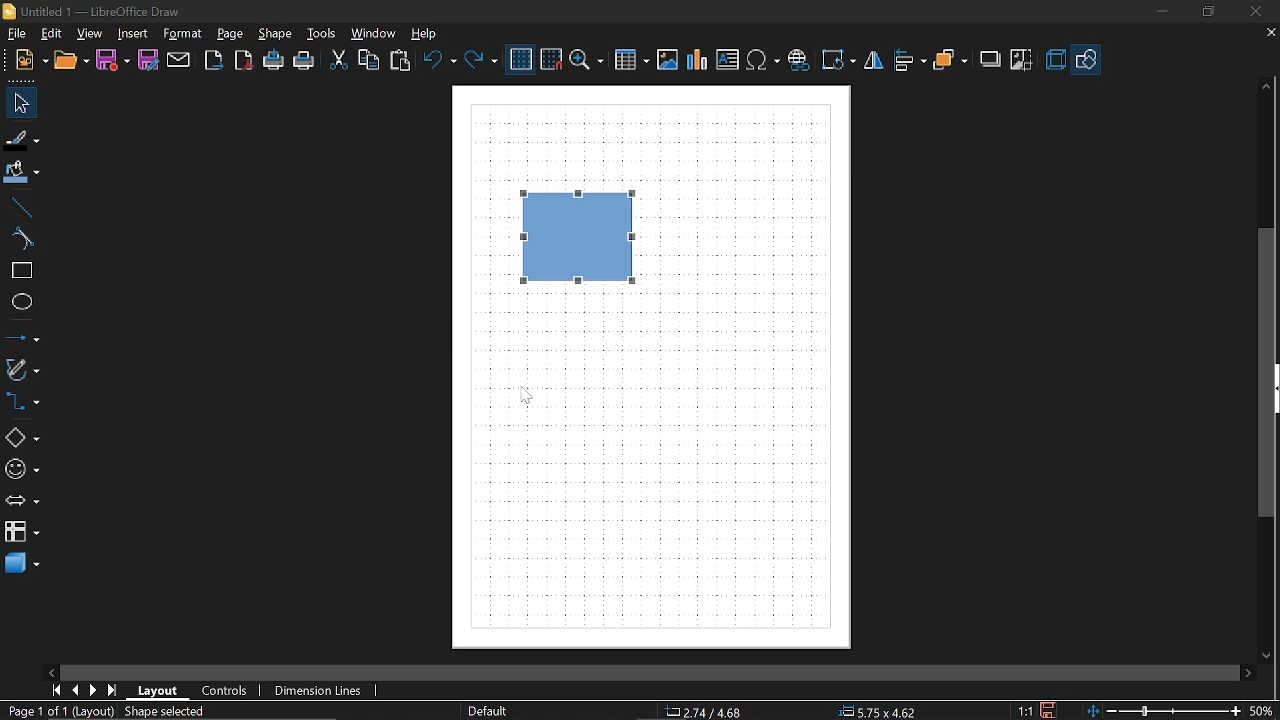 The height and width of the screenshot is (720, 1280). Describe the element at coordinates (480, 61) in the screenshot. I see `redo` at that location.